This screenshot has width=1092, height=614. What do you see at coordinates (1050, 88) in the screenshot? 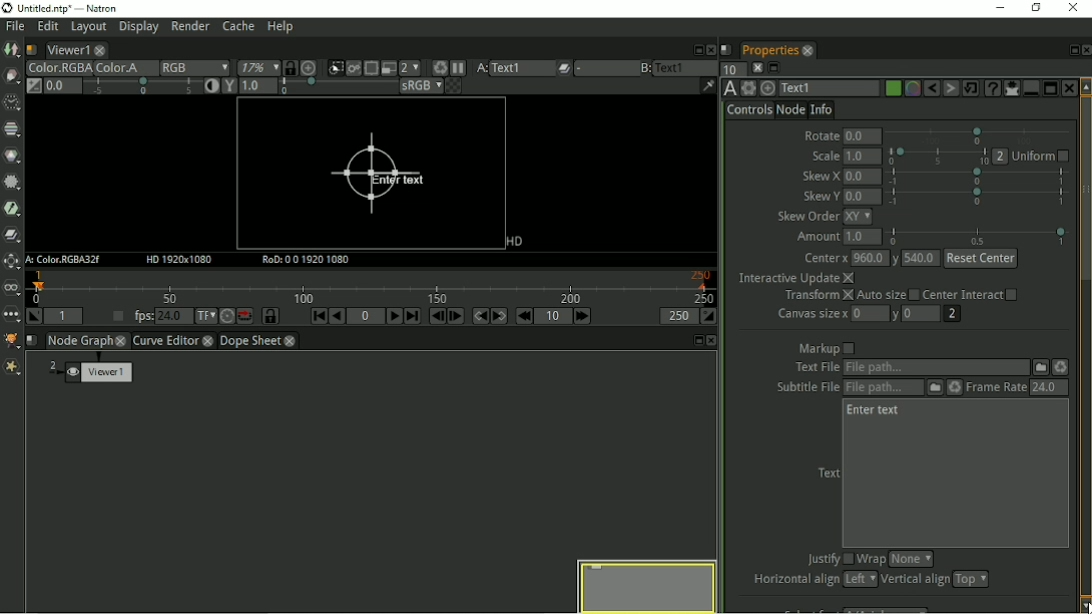
I see `Maximize` at bounding box center [1050, 88].